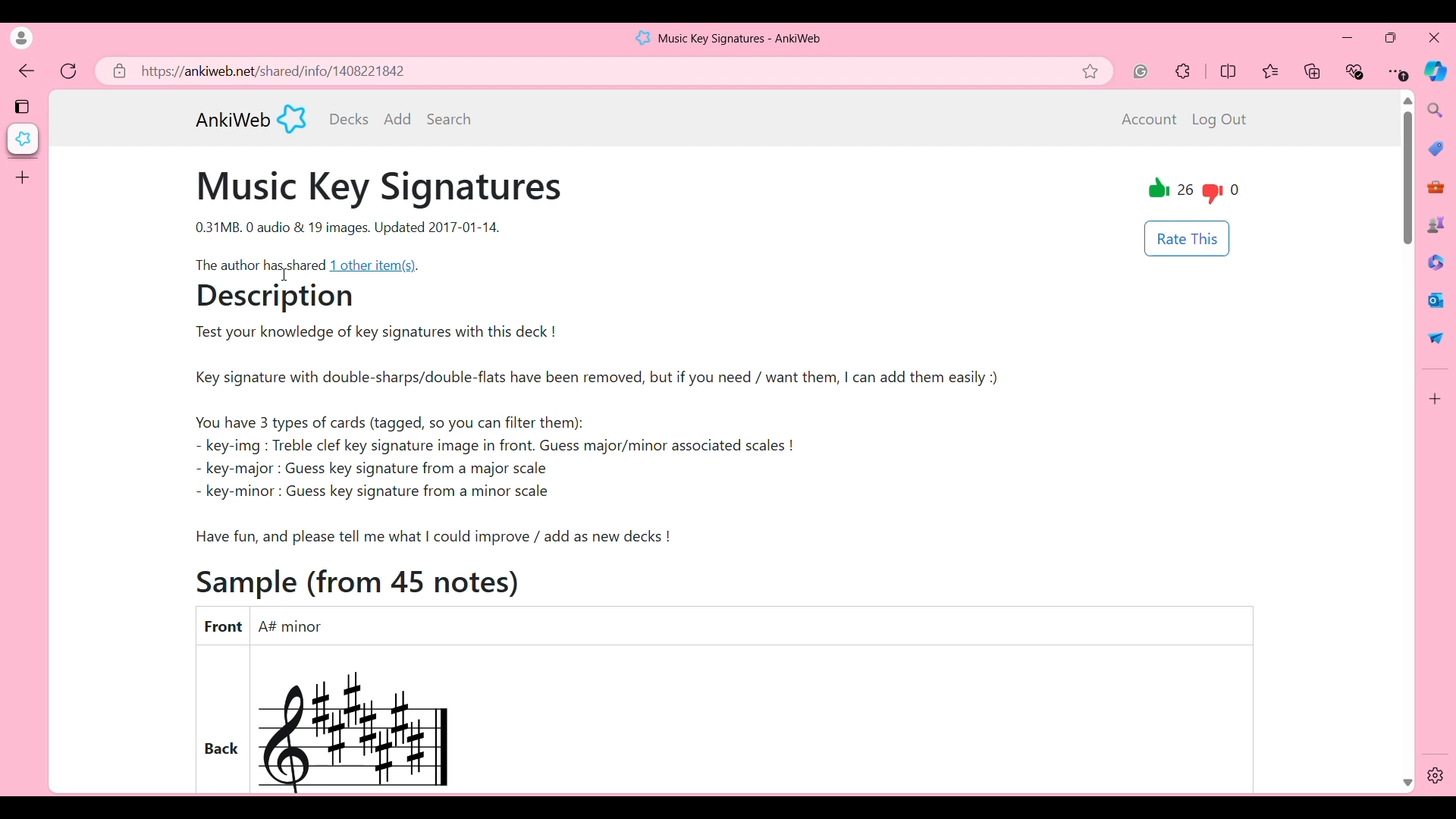  What do you see at coordinates (1436, 776) in the screenshot?
I see `Settings` at bounding box center [1436, 776].